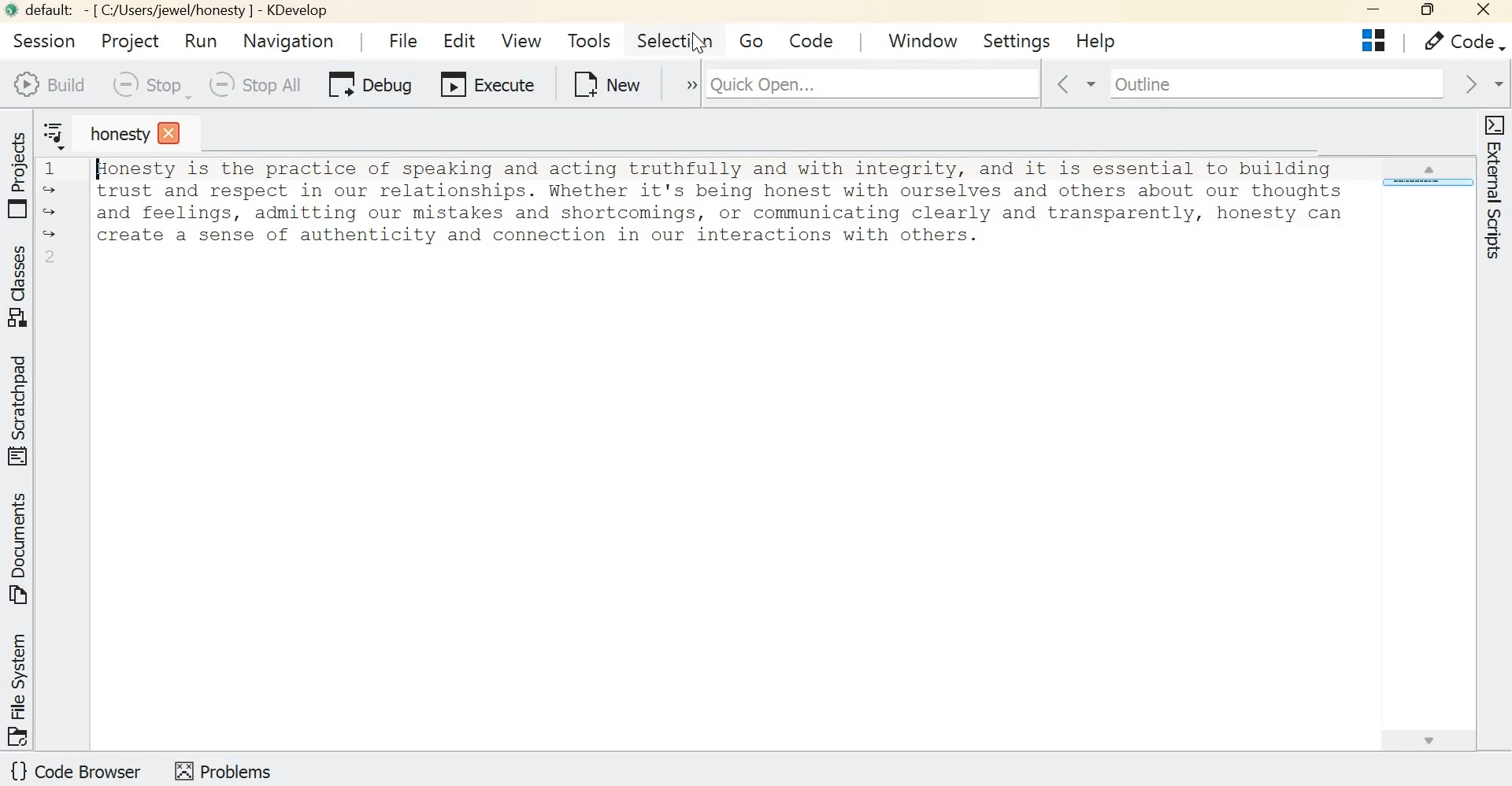  What do you see at coordinates (20, 688) in the screenshot?
I see `Toggle 'File system' tool view` at bounding box center [20, 688].